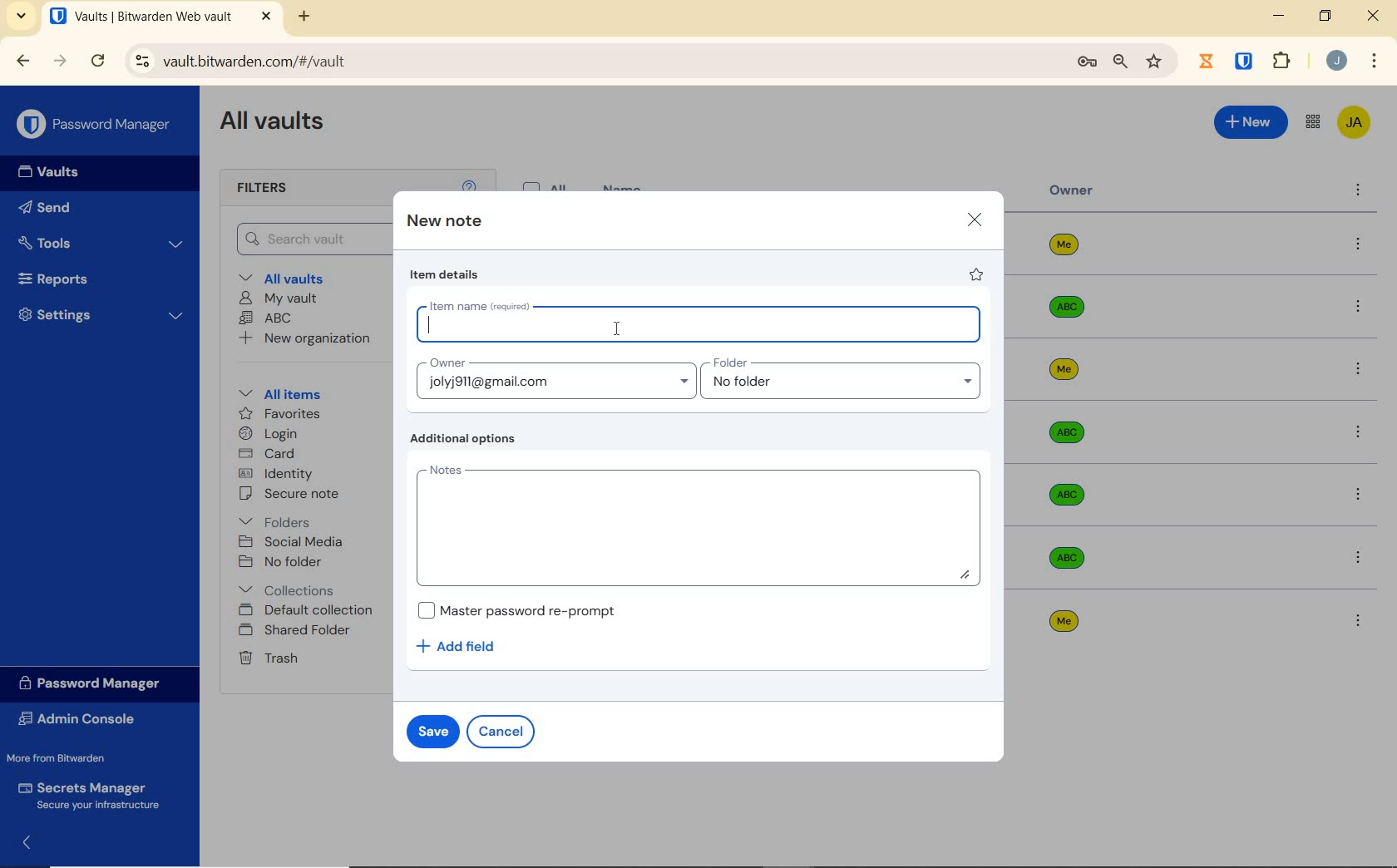 The height and width of the screenshot is (868, 1397). Describe the element at coordinates (73, 758) in the screenshot. I see `More from Bitwarden` at that location.